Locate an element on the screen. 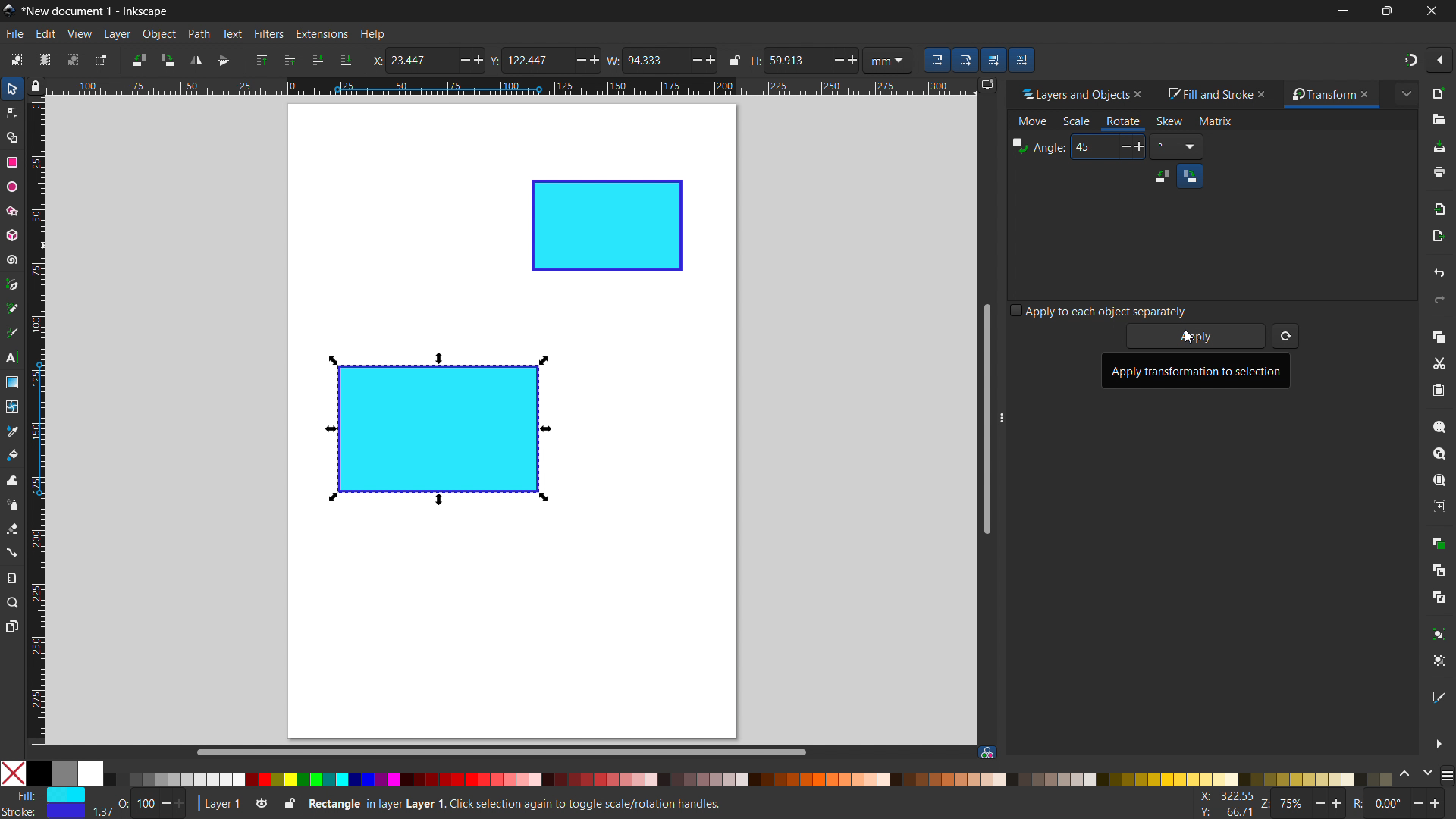 The image size is (1456, 819). close is located at coordinates (1430, 11).